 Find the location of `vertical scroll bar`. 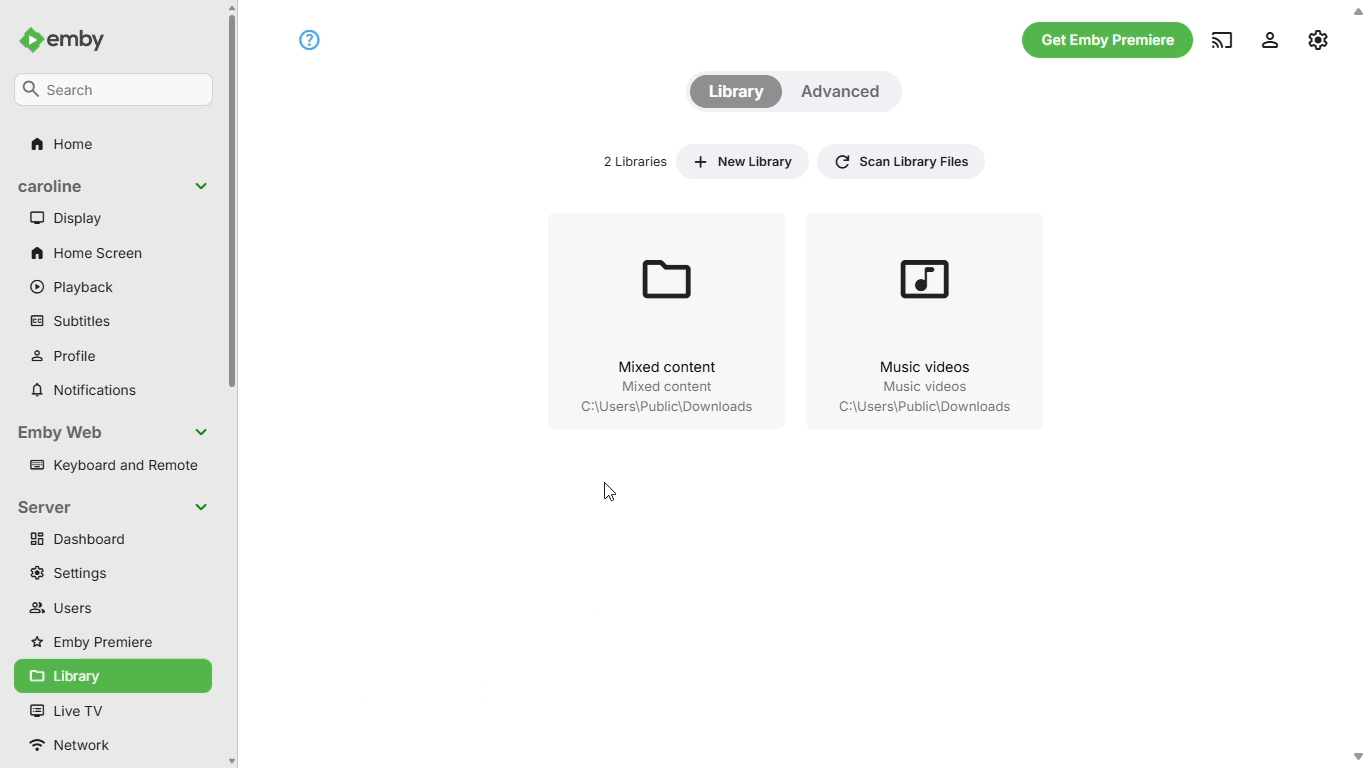

vertical scroll bar is located at coordinates (234, 385).